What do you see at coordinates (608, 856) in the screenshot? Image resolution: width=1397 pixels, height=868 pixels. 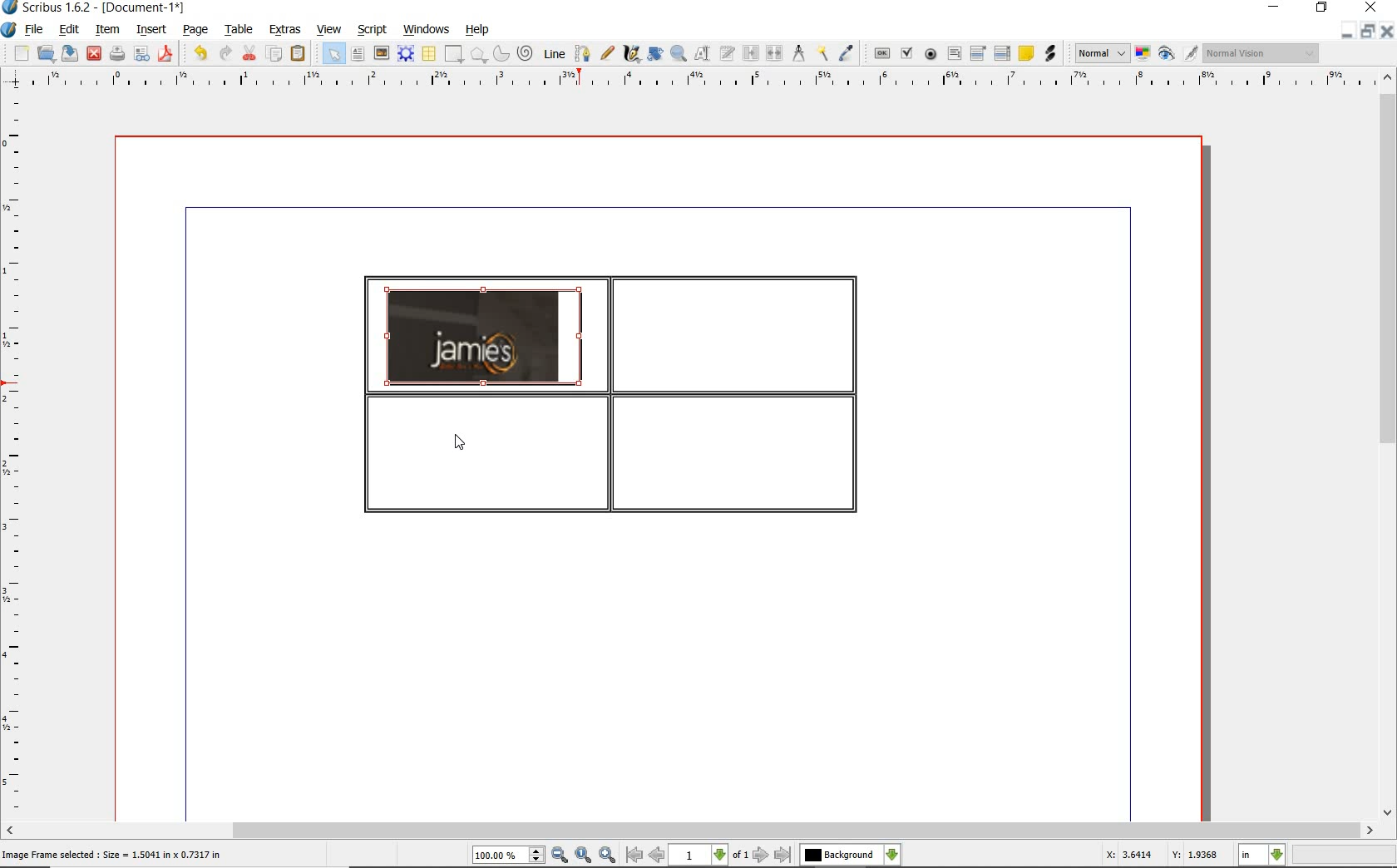 I see `zoom in` at bounding box center [608, 856].